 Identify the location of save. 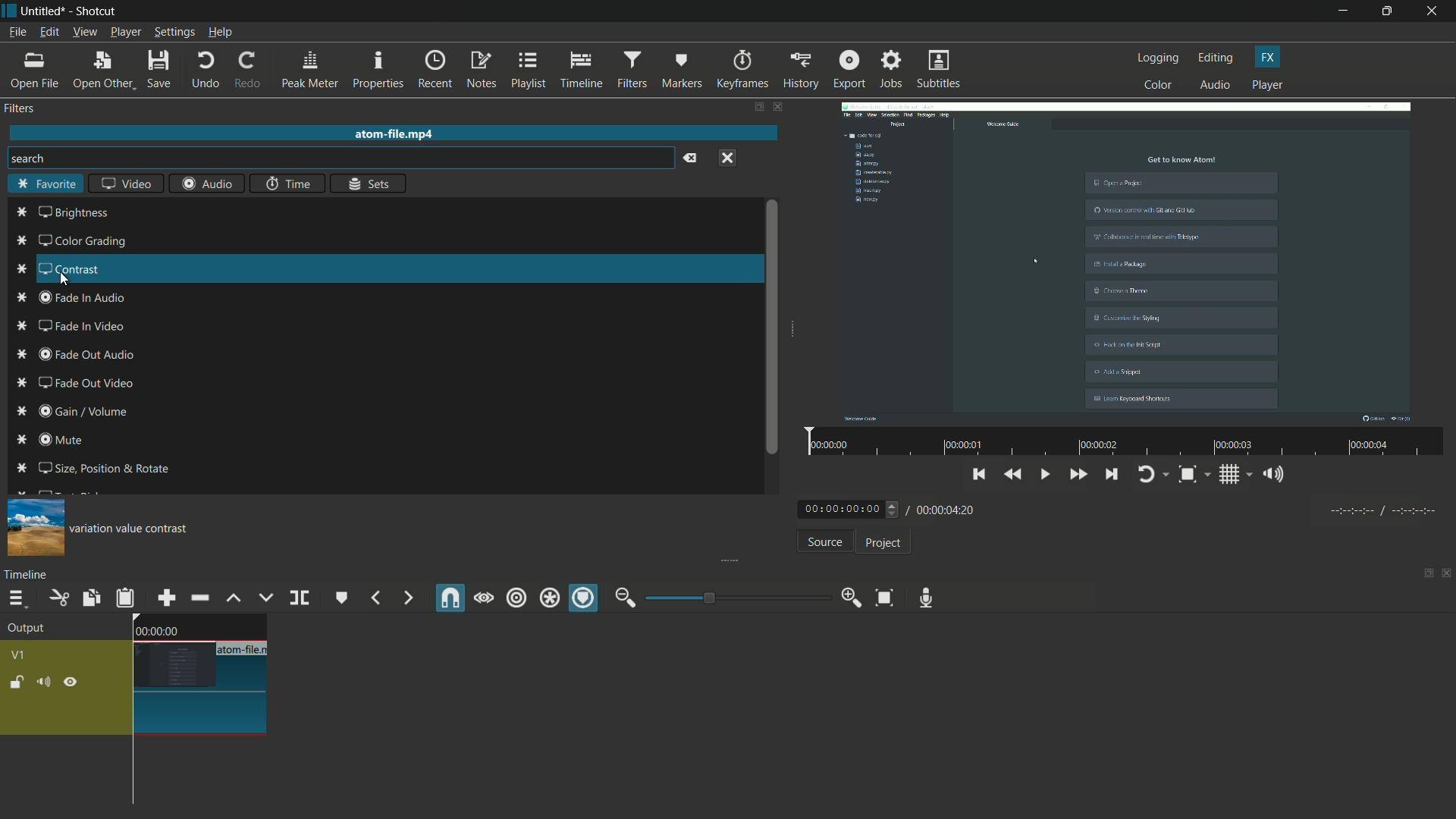
(161, 71).